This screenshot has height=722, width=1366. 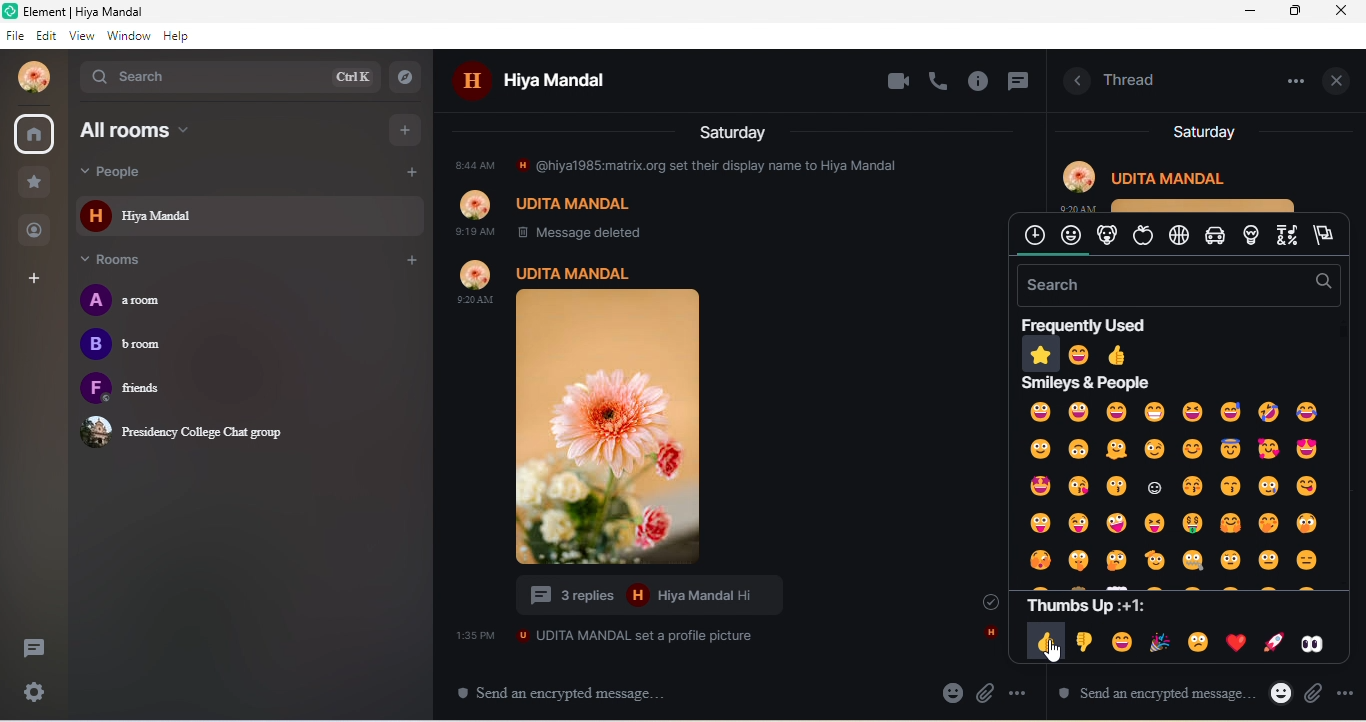 I want to click on all emojis, so click(x=1176, y=487).